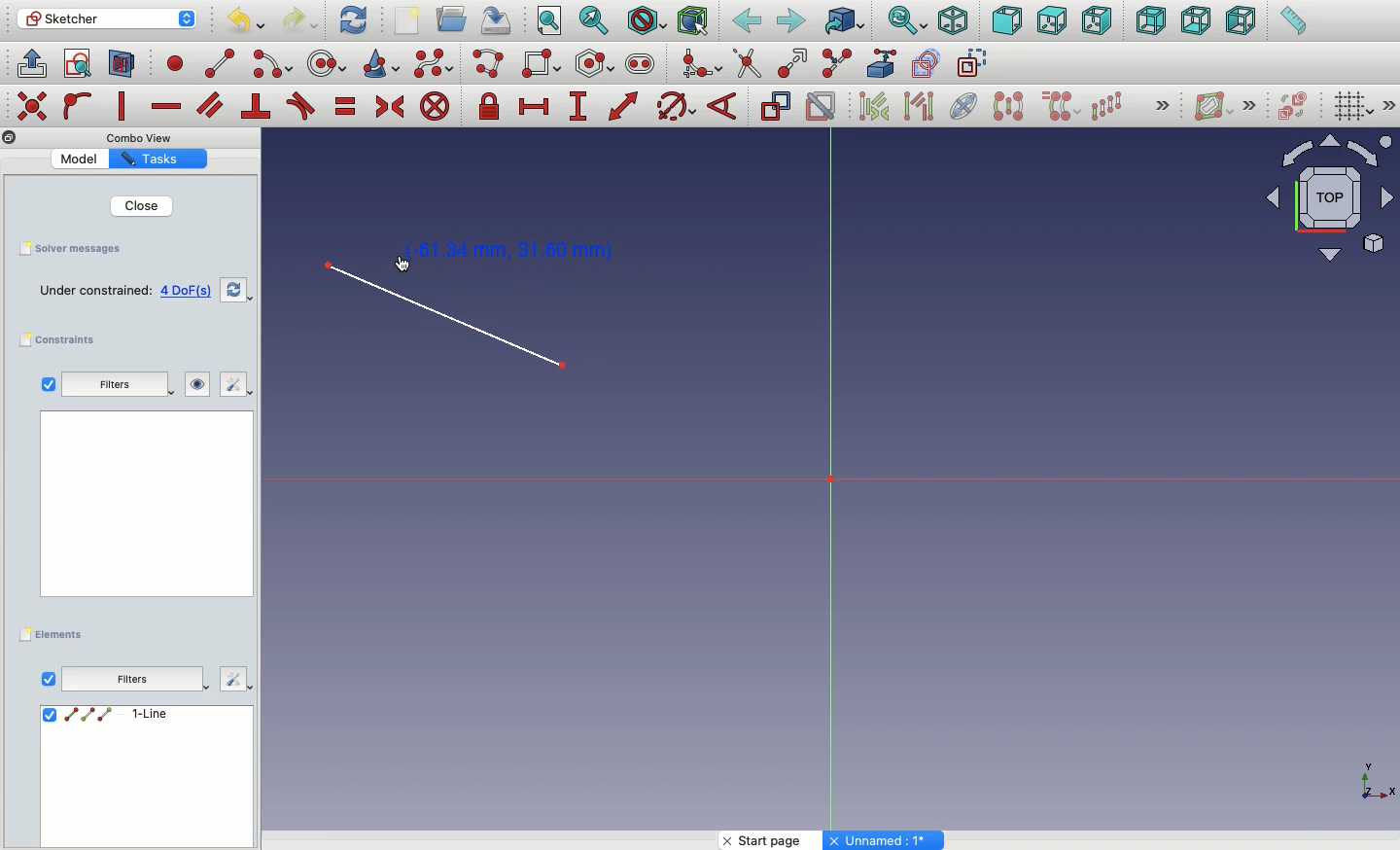  Describe the element at coordinates (1320, 206) in the screenshot. I see `` at that location.